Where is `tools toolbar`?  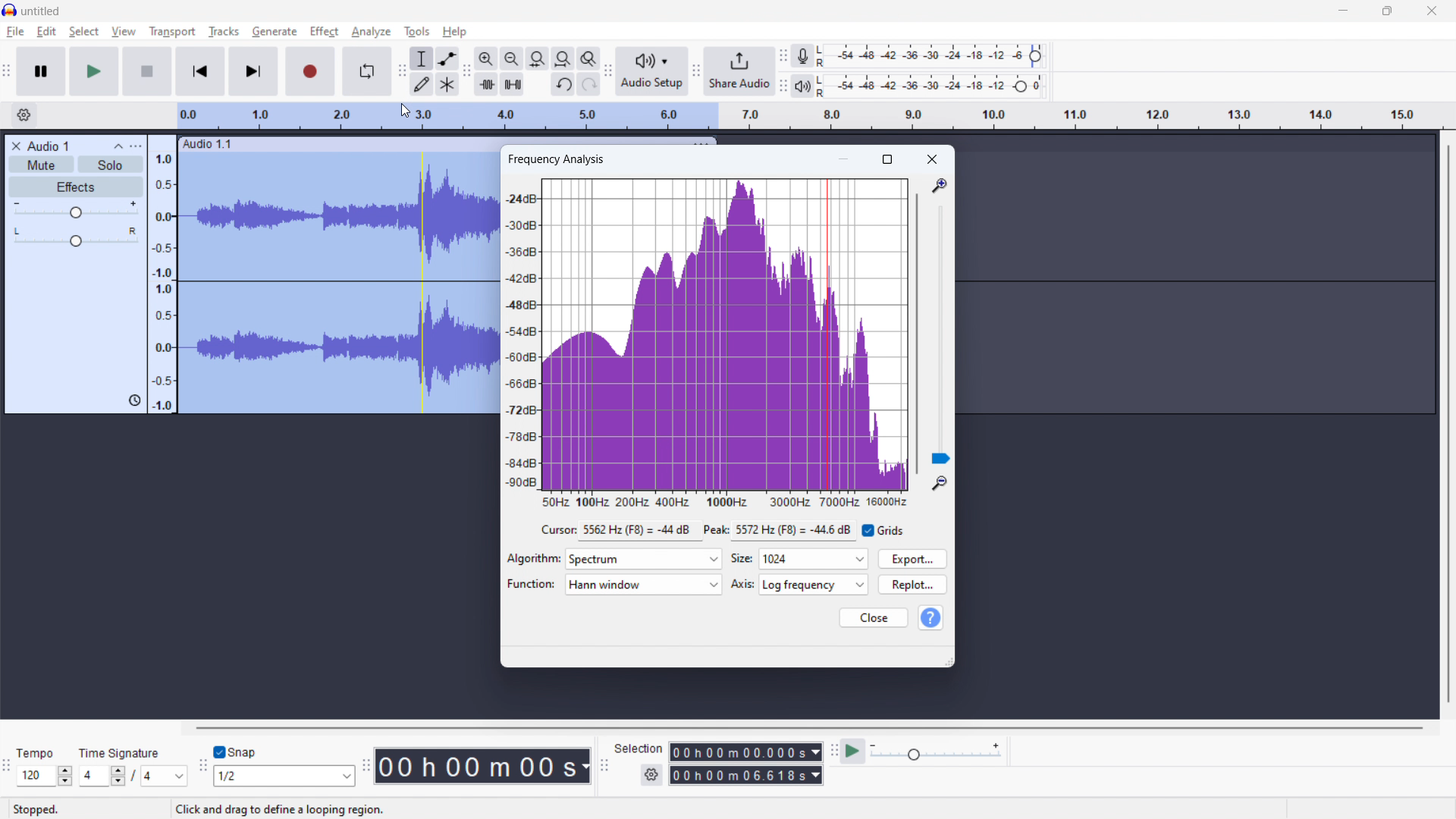
tools toolbar is located at coordinates (401, 71).